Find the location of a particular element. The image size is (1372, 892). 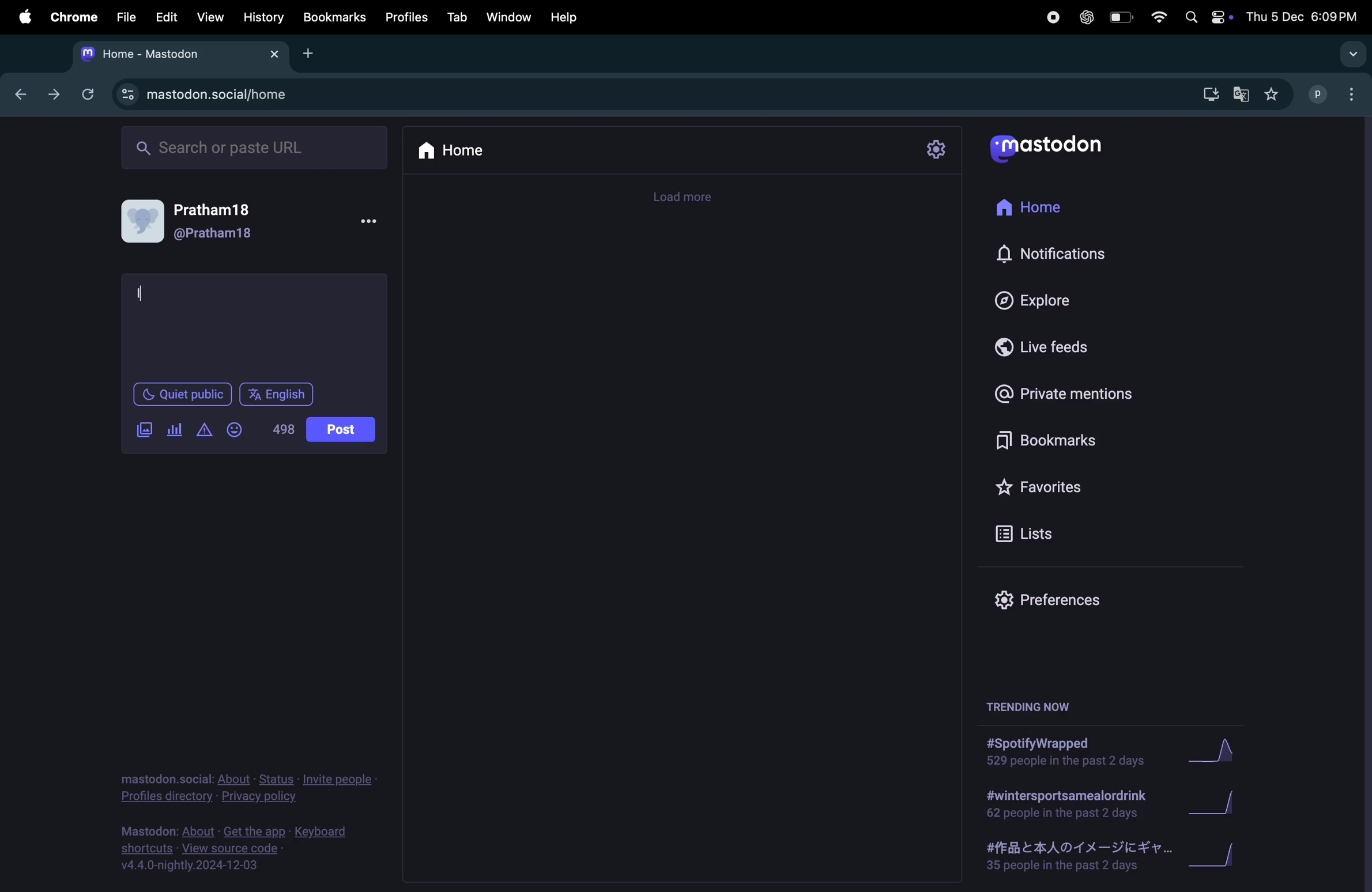

forward is located at coordinates (54, 95).